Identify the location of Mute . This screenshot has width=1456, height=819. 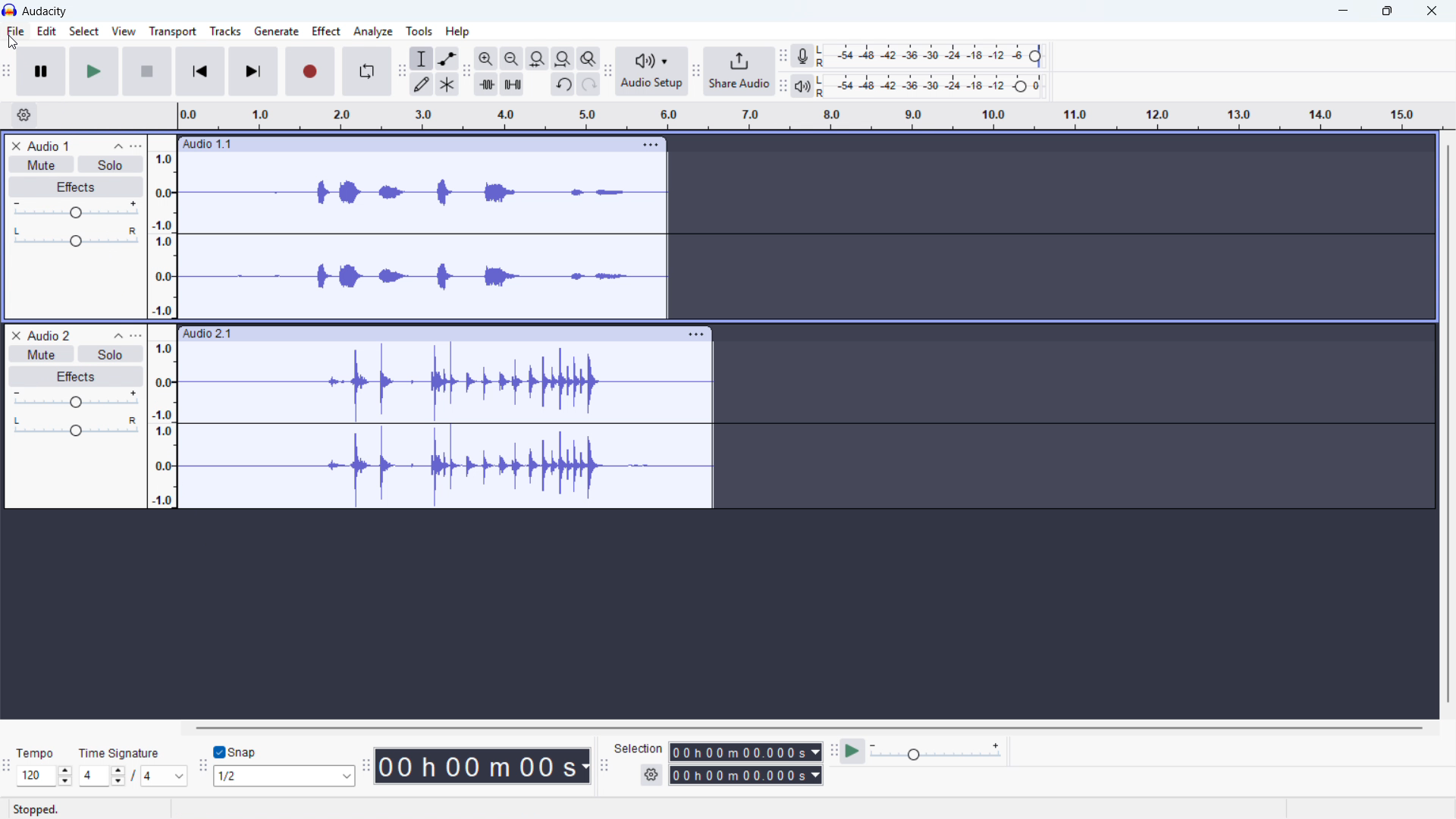
(42, 353).